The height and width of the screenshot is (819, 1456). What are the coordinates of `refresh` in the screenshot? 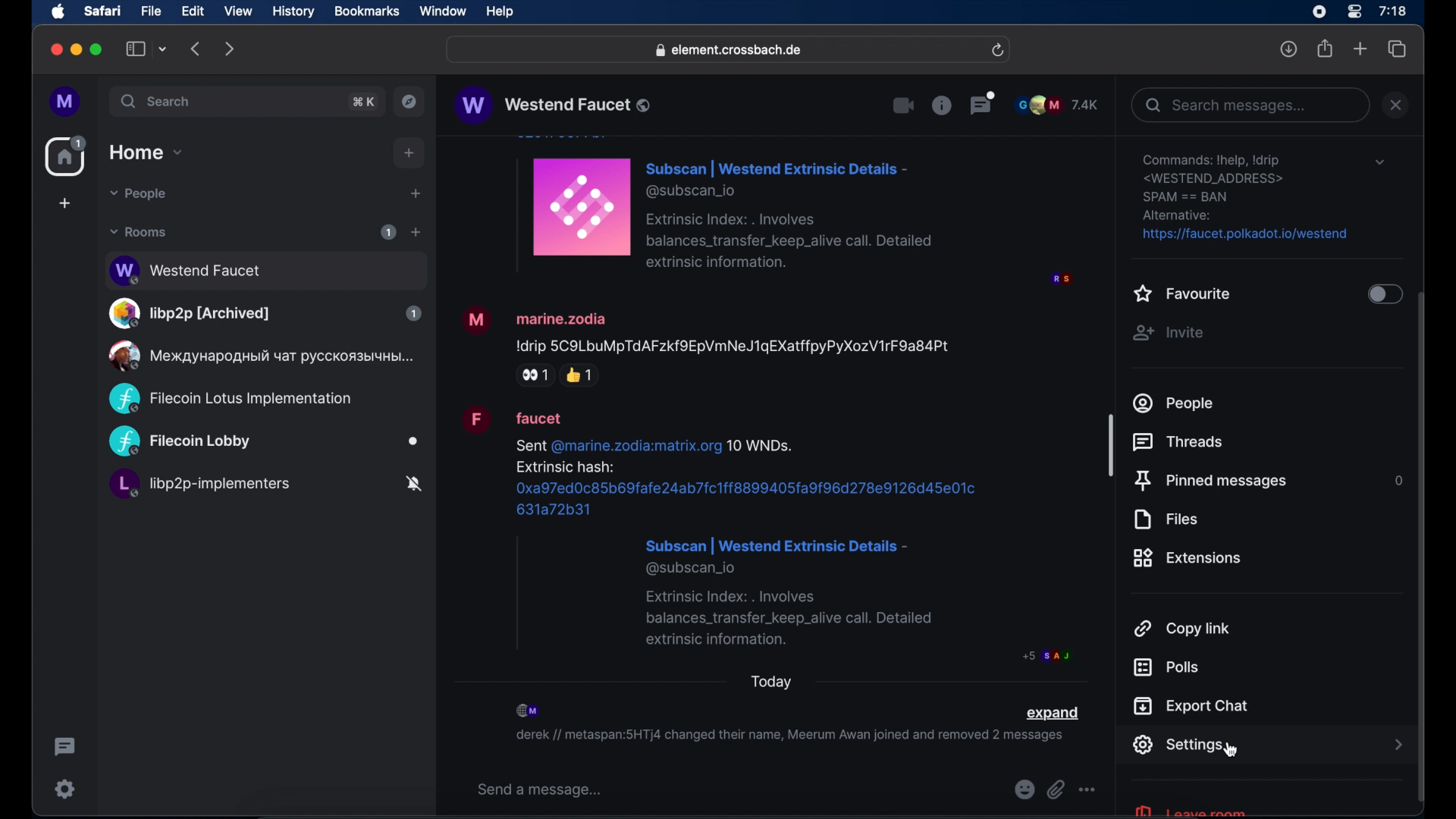 It's located at (997, 51).